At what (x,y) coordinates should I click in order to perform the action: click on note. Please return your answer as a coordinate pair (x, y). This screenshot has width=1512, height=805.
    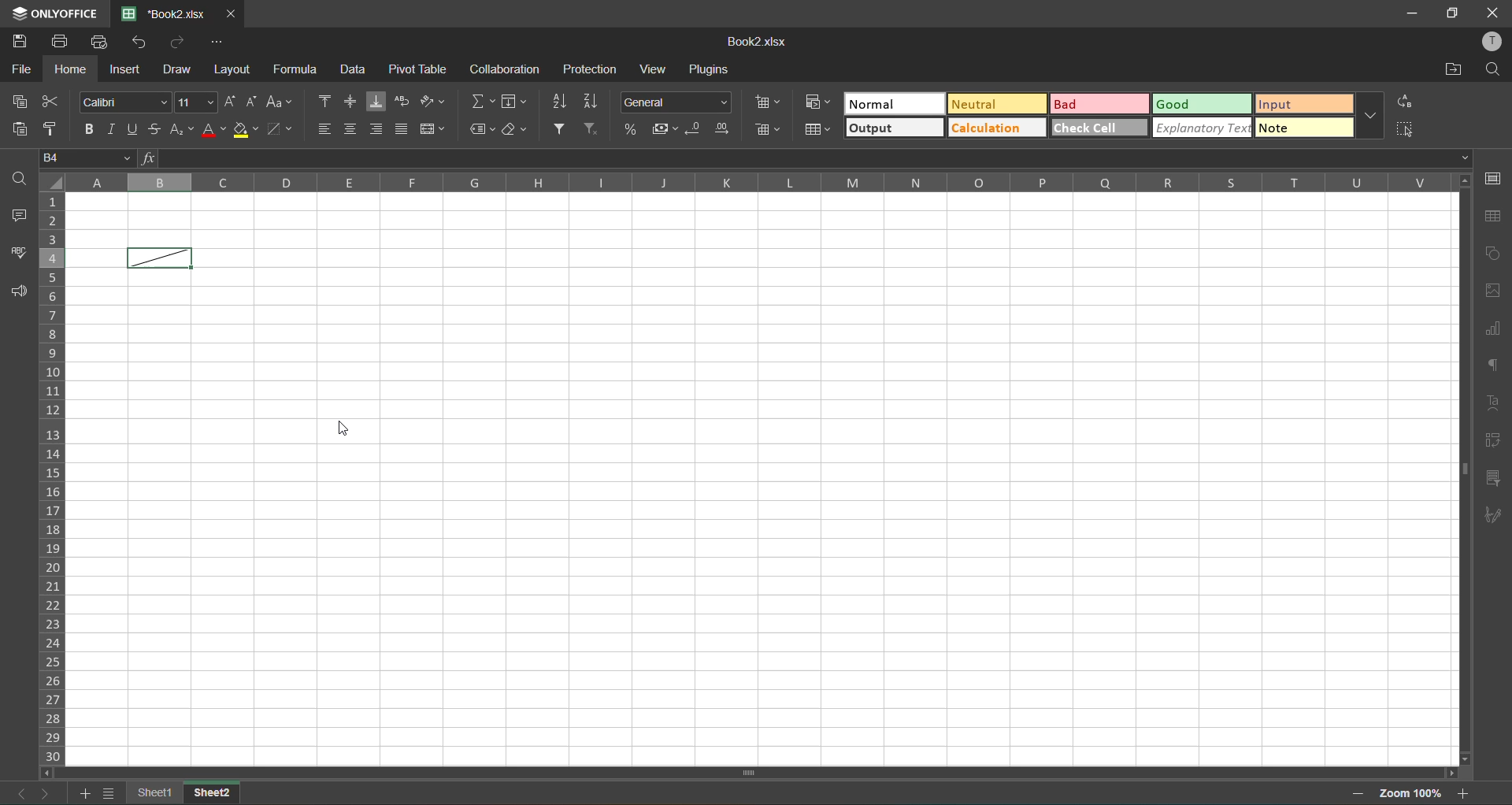
    Looking at the image, I should click on (1301, 130).